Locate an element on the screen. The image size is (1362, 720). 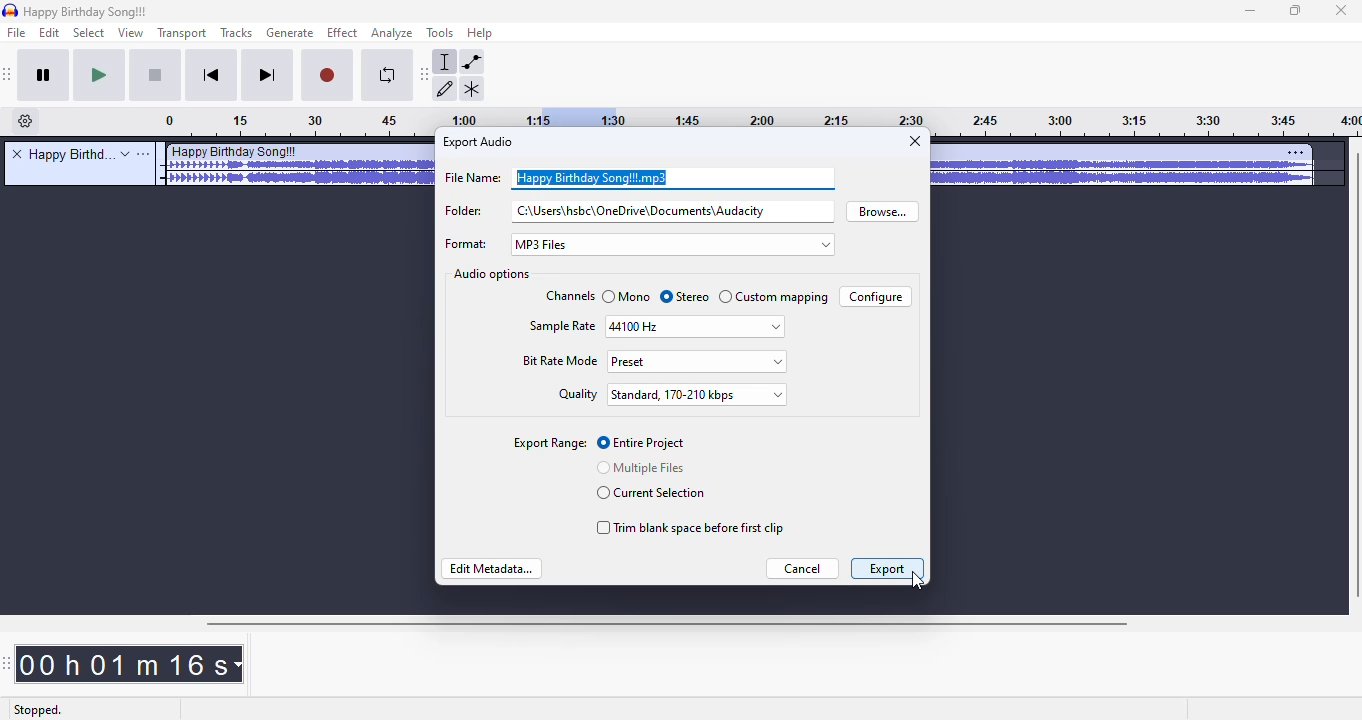
trim blank space before first clip is located at coordinates (690, 528).